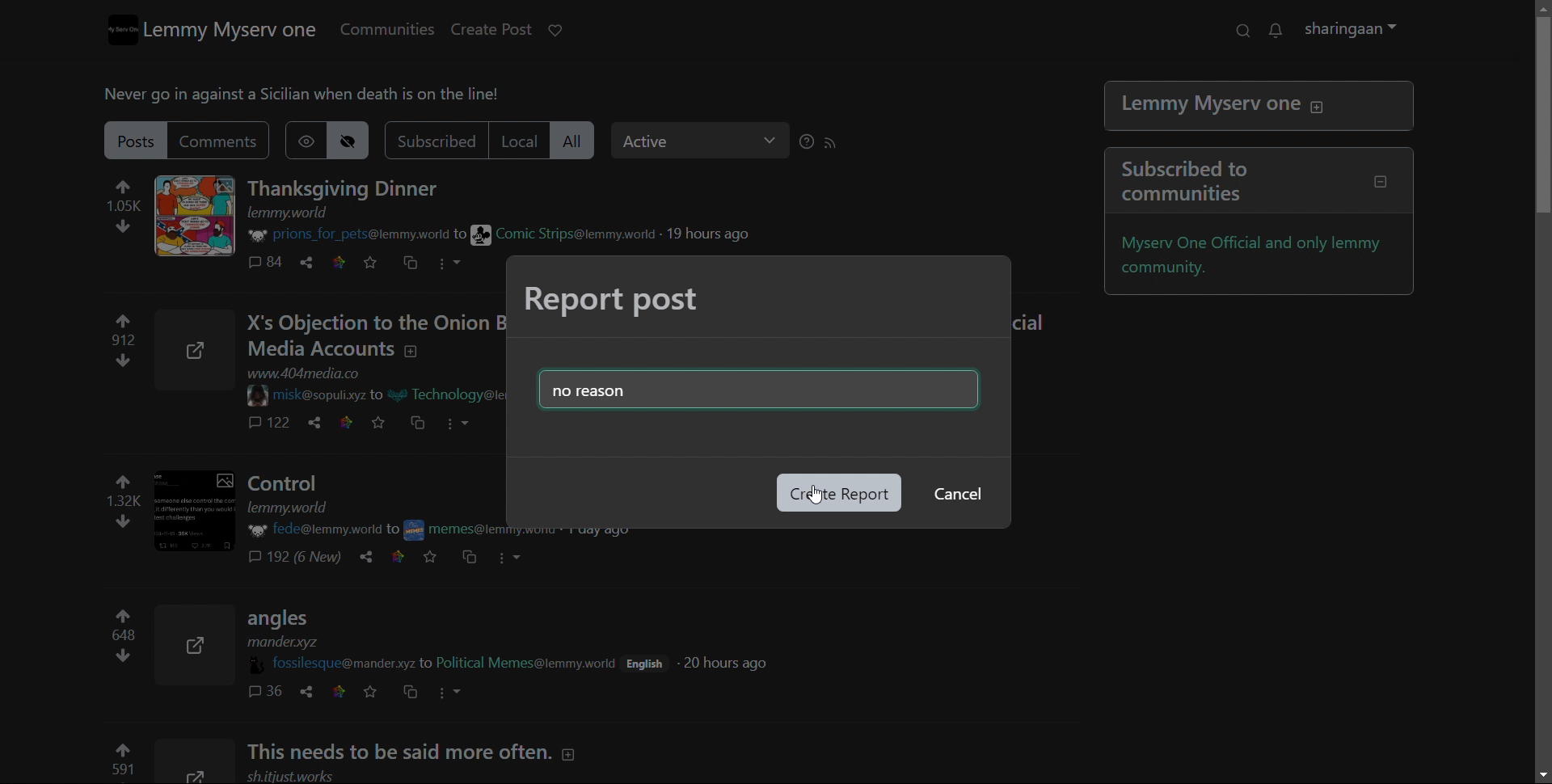 This screenshot has height=784, width=1552. What do you see at coordinates (120, 344) in the screenshot?
I see `Upvote and downvote` at bounding box center [120, 344].